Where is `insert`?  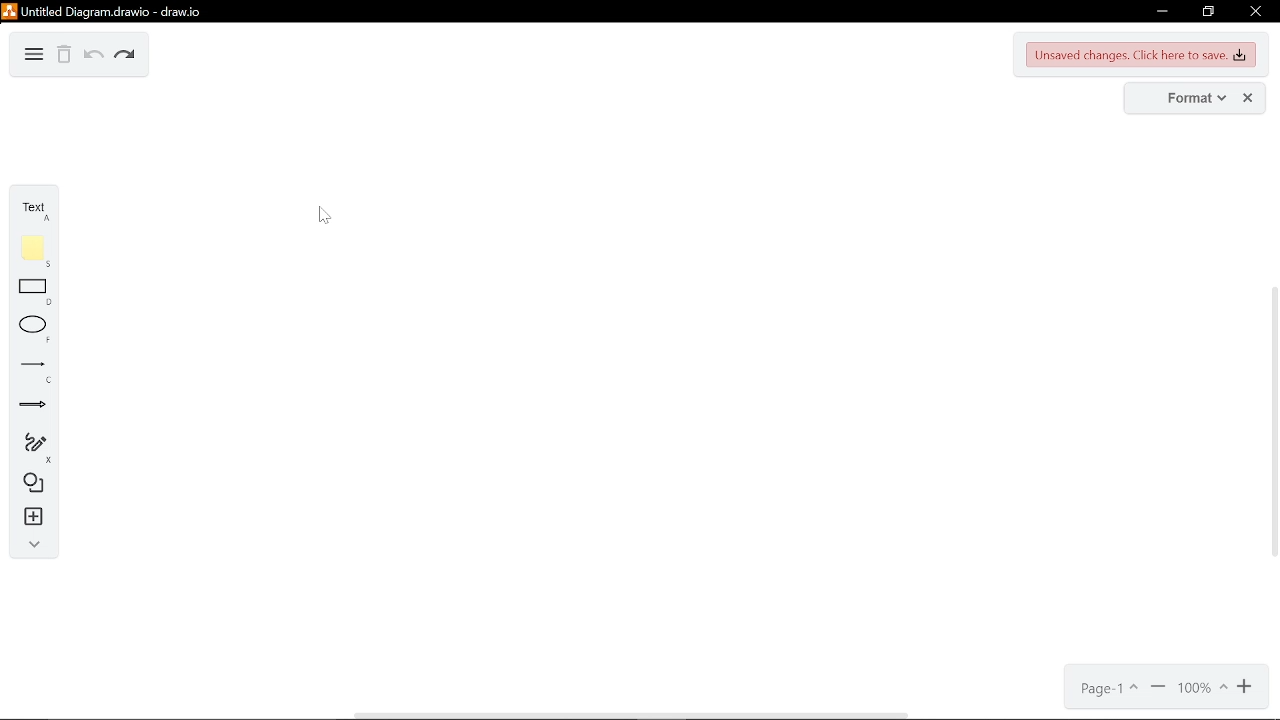
insert is located at coordinates (31, 519).